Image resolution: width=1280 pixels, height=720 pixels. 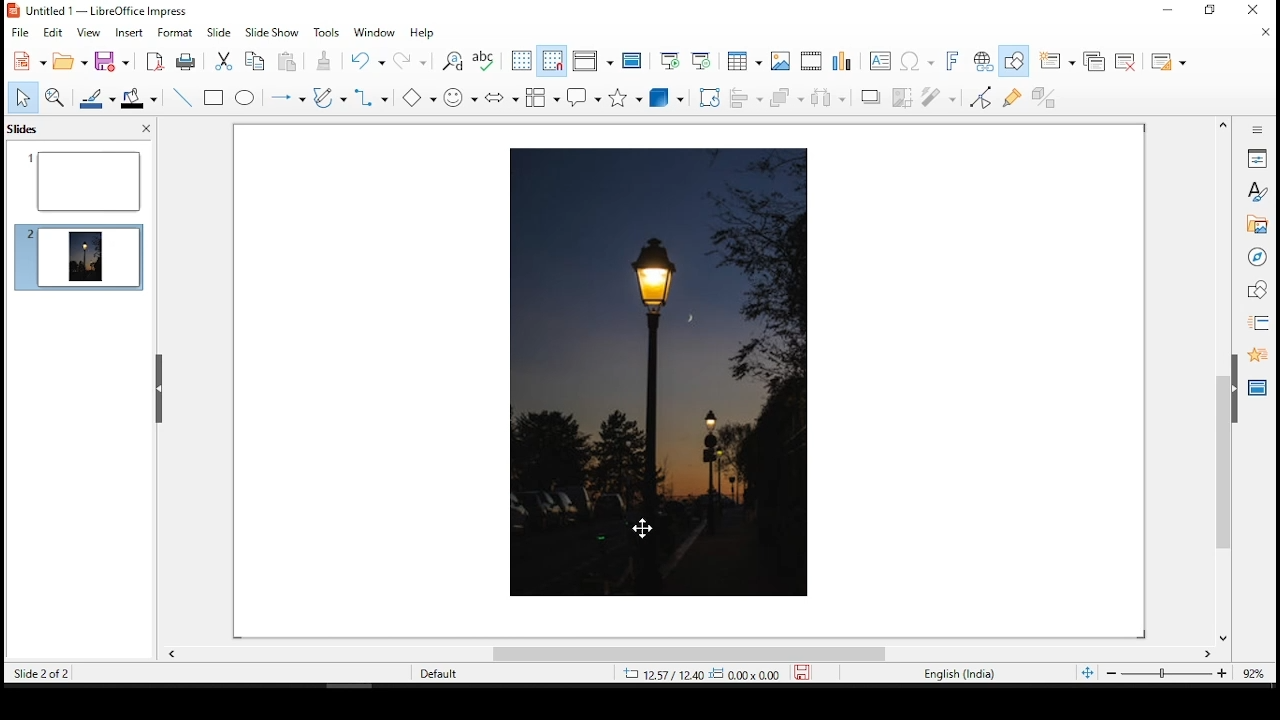 What do you see at coordinates (847, 60) in the screenshot?
I see `charts` at bounding box center [847, 60].